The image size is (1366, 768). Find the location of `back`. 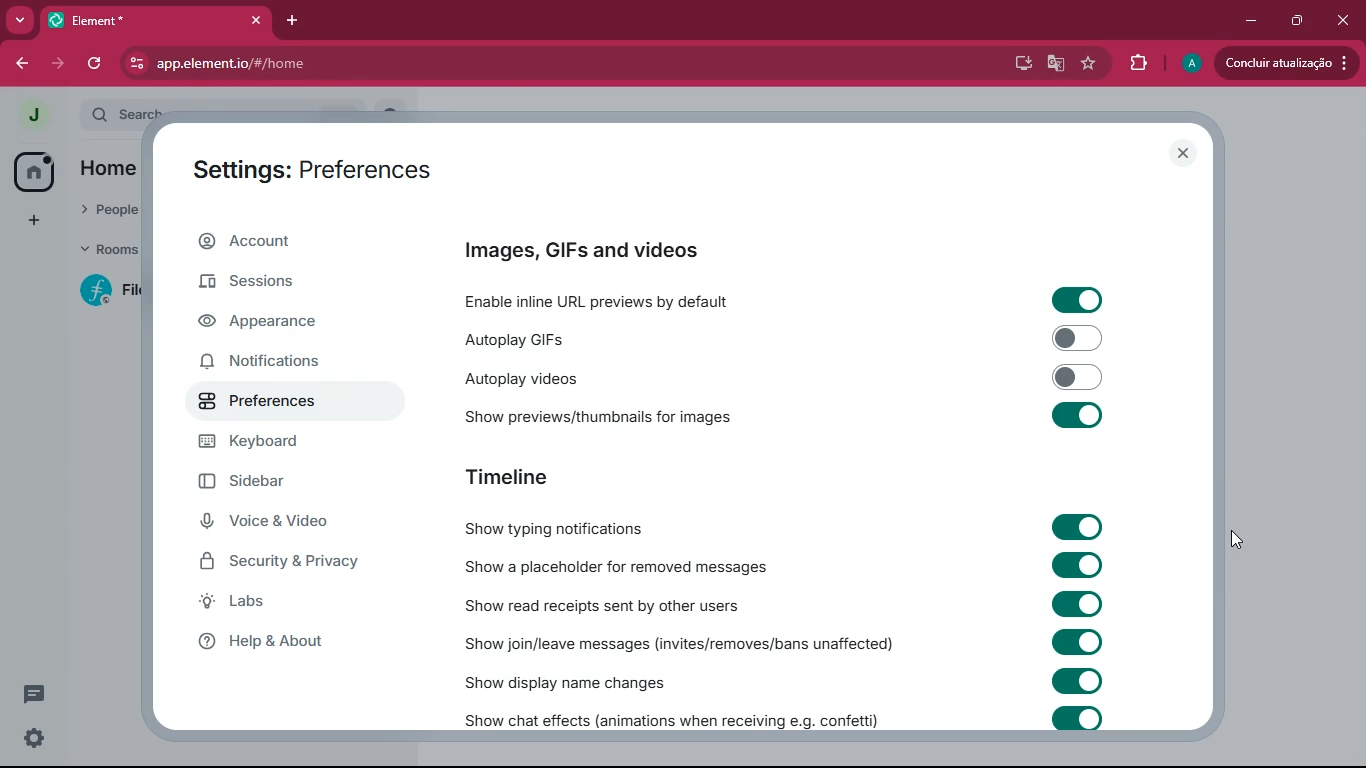

back is located at coordinates (19, 64).